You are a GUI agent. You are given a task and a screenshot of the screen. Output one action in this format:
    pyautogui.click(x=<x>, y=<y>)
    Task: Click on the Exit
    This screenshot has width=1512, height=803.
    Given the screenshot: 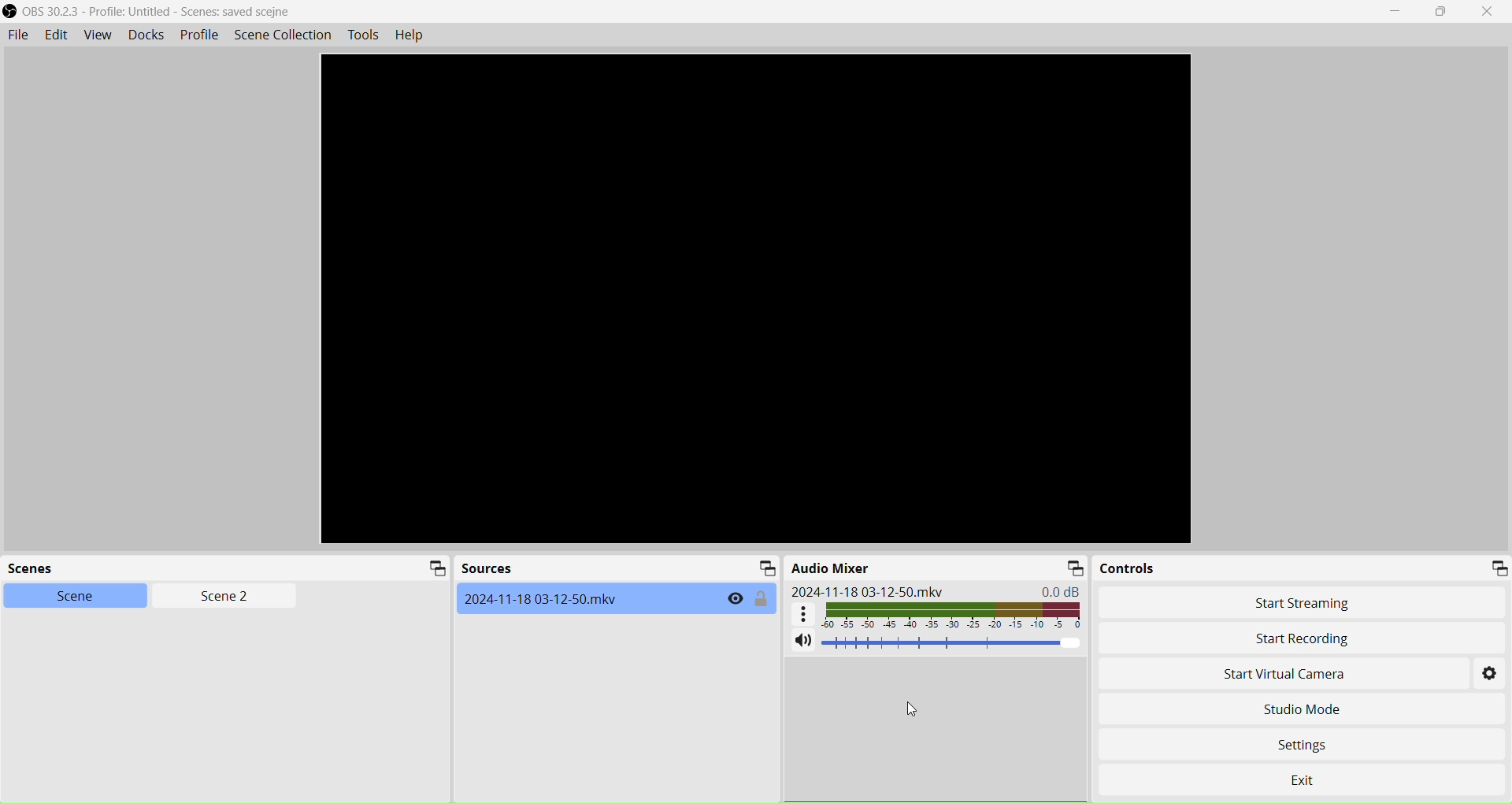 What is the action you would take?
    pyautogui.click(x=1321, y=775)
    